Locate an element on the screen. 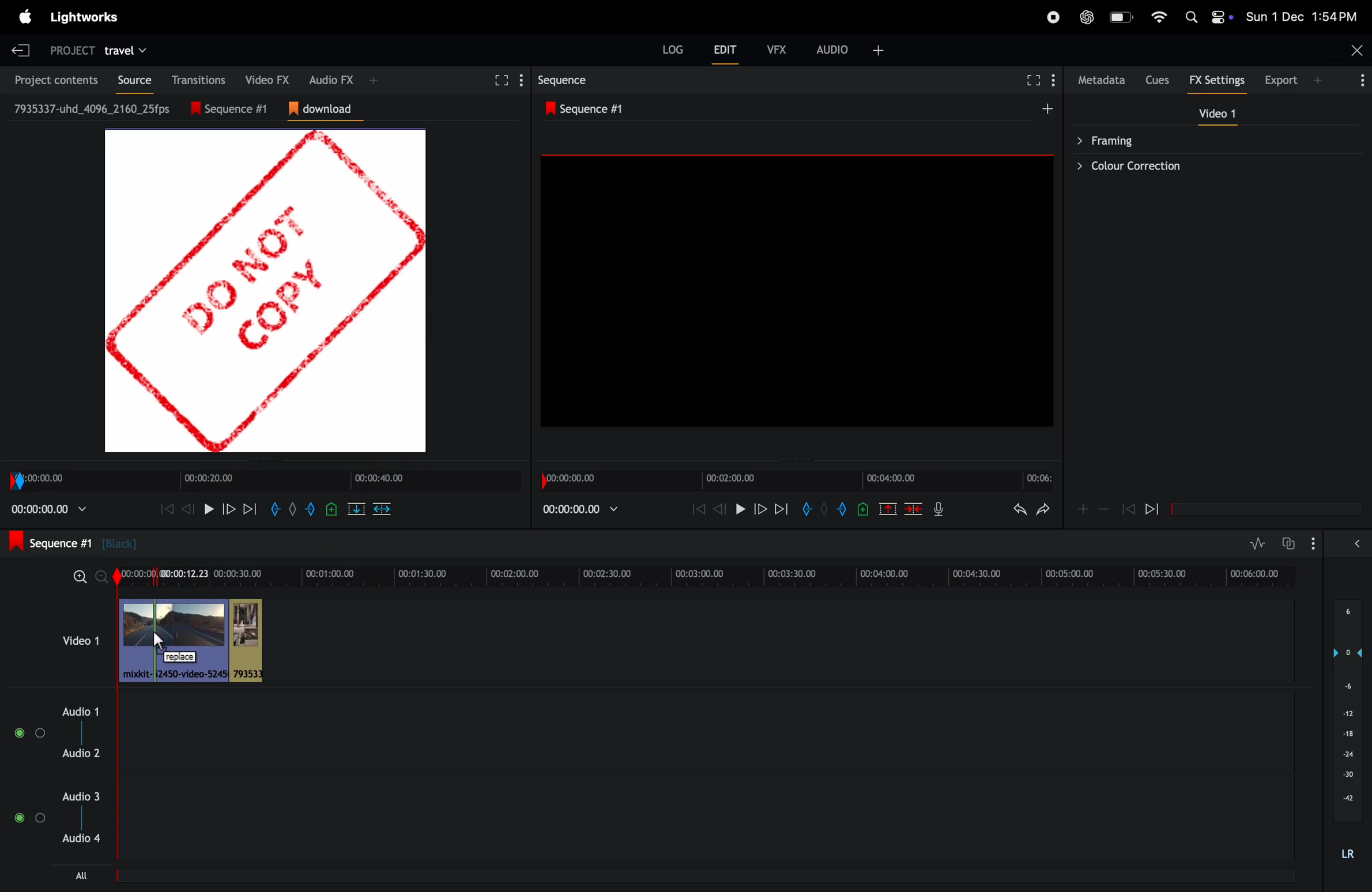 This screenshot has width=1372, height=892. Add is located at coordinates (374, 80).